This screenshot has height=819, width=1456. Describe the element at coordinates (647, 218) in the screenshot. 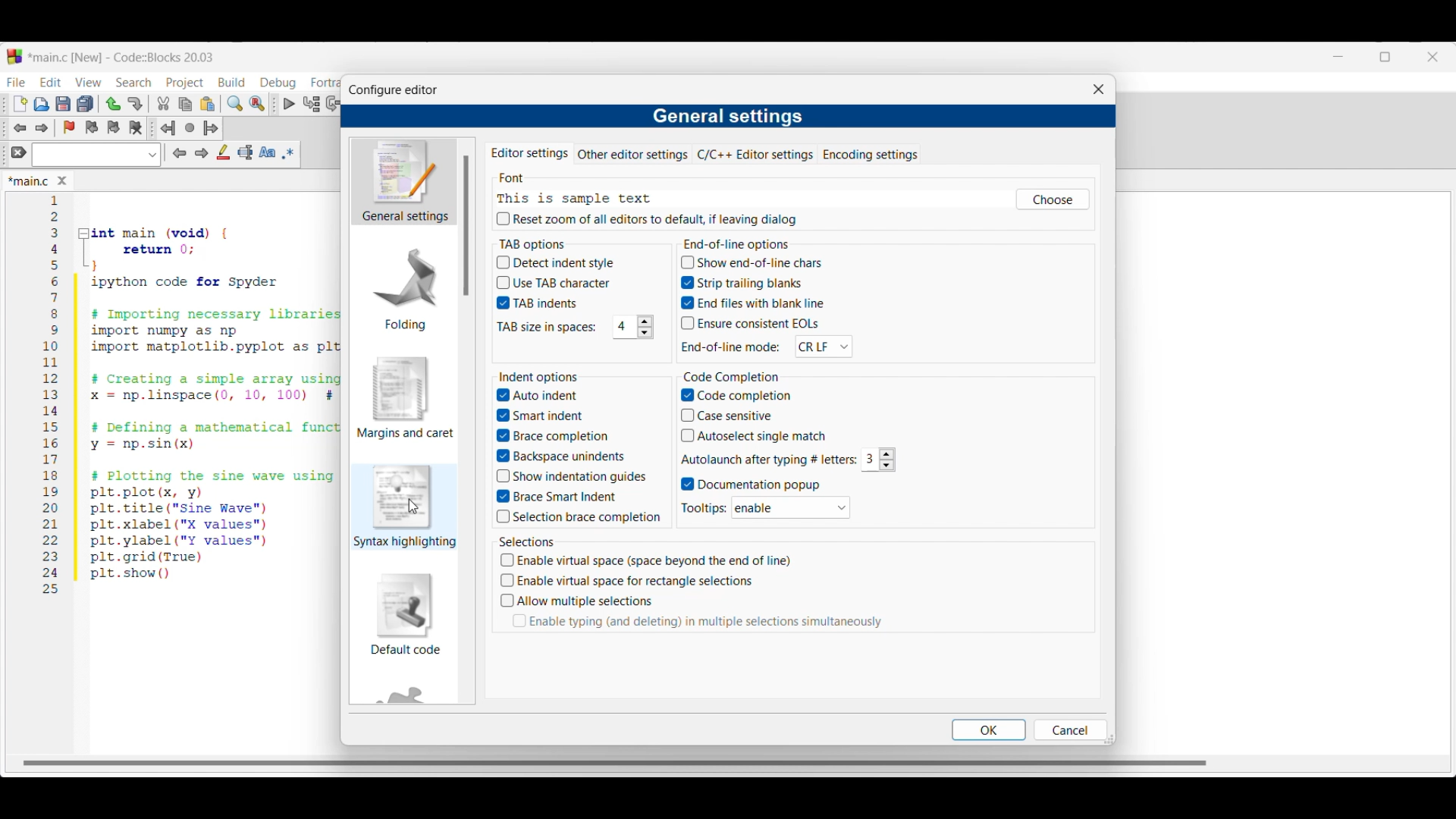

I see `Toggle to reset zoom of all editors` at that location.